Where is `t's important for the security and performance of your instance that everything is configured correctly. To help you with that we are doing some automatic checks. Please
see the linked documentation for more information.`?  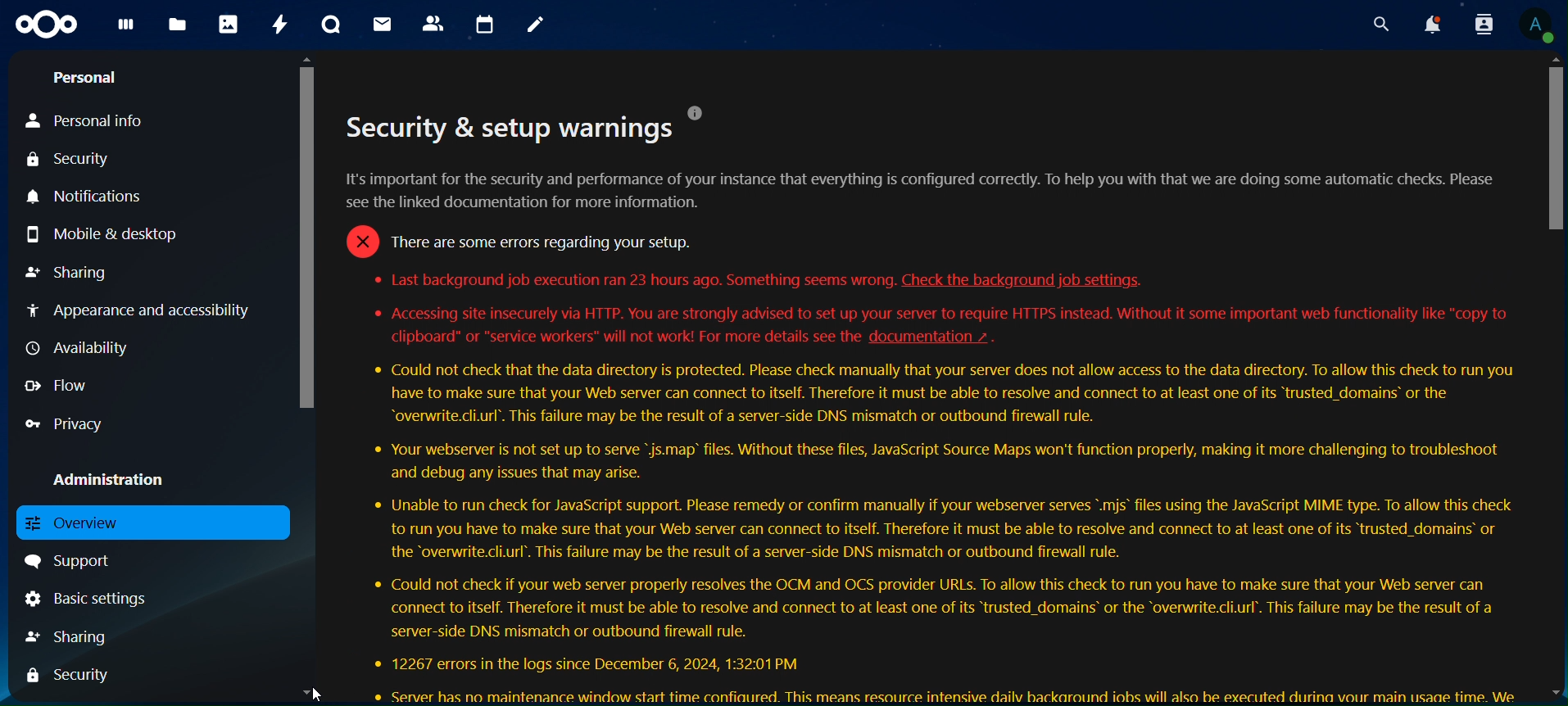
t's important for the security and performance of your instance that everything is configured correctly. To help you with that we are doing some automatic checks. Please
see the linked documentation for more information. is located at coordinates (928, 191).